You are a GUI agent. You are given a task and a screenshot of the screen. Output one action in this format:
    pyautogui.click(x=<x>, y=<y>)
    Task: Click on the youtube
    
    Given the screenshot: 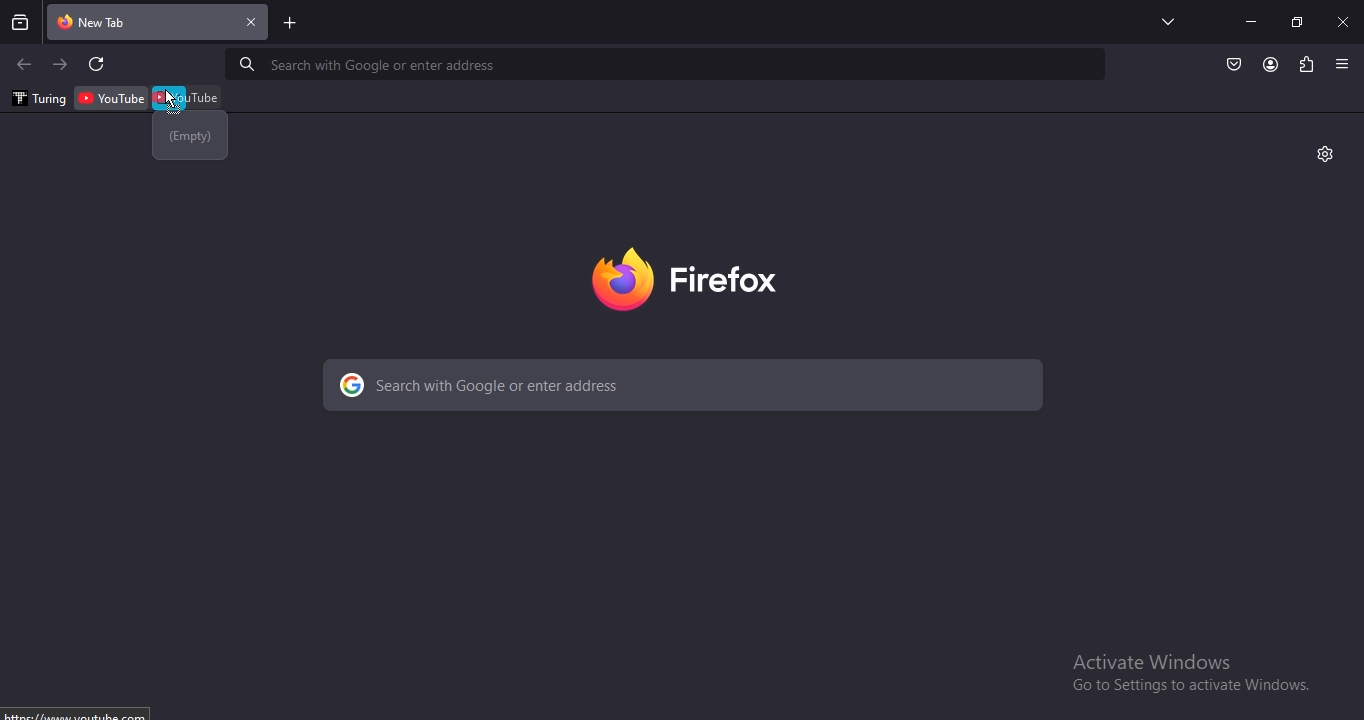 What is the action you would take?
    pyautogui.click(x=189, y=96)
    